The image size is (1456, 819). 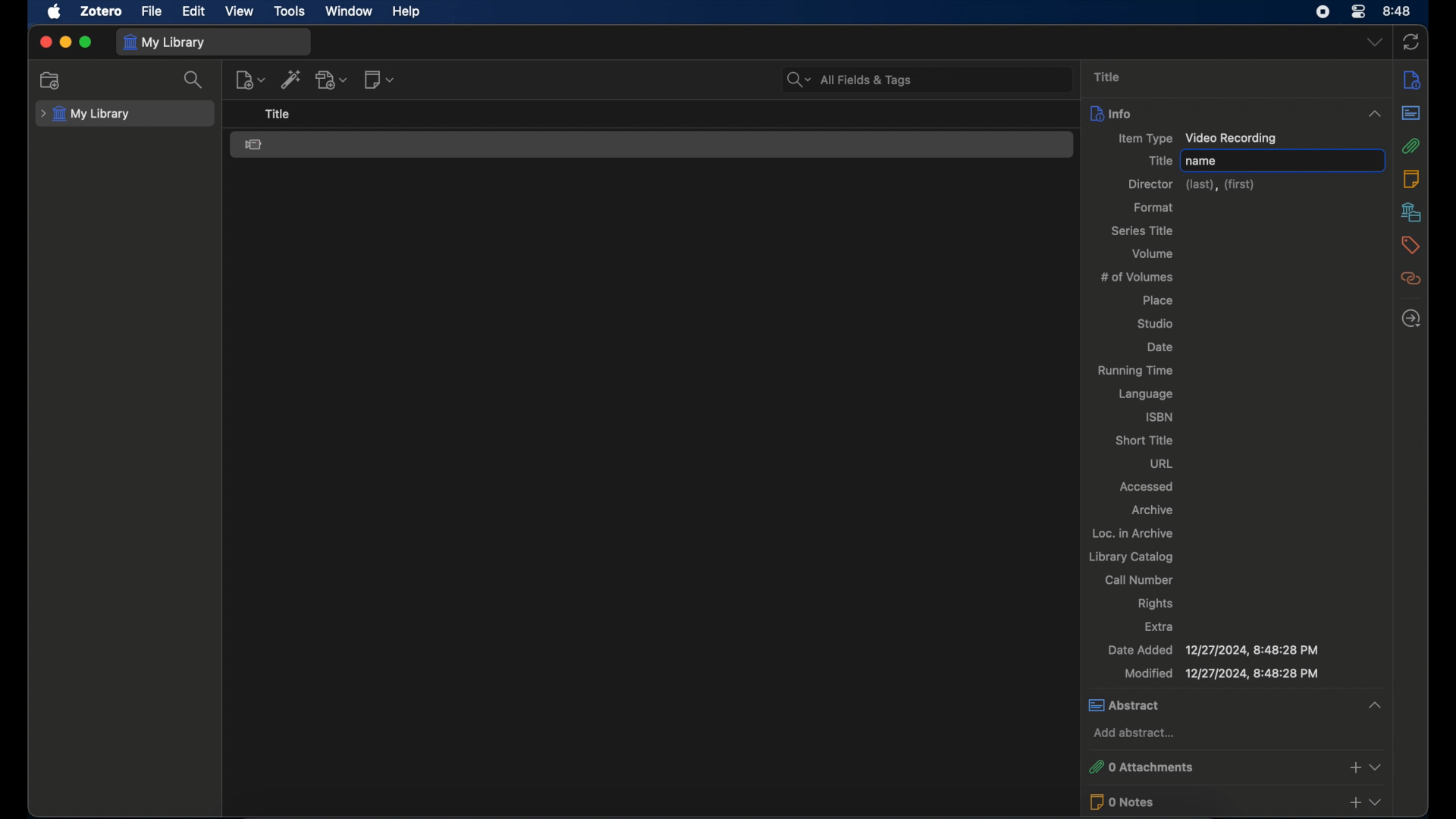 I want to click on new collection, so click(x=52, y=81).